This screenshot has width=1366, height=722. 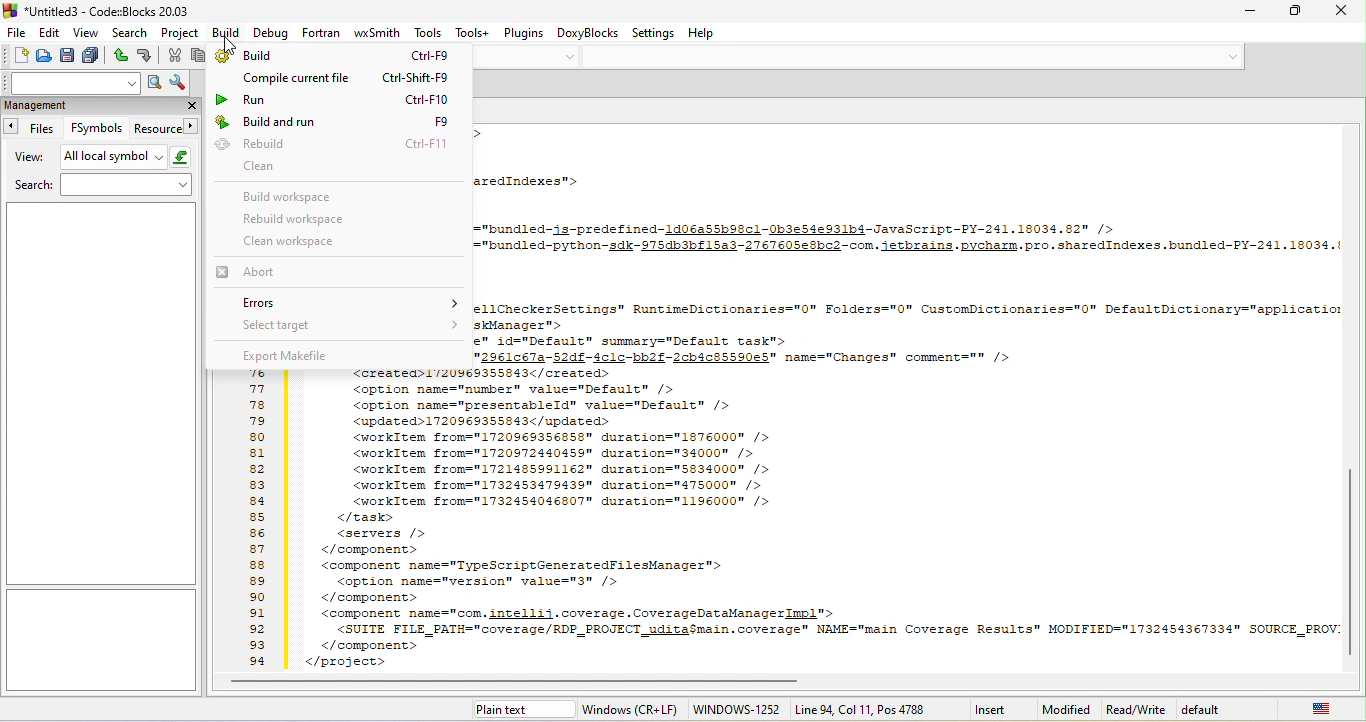 I want to click on read\write, so click(x=1134, y=708).